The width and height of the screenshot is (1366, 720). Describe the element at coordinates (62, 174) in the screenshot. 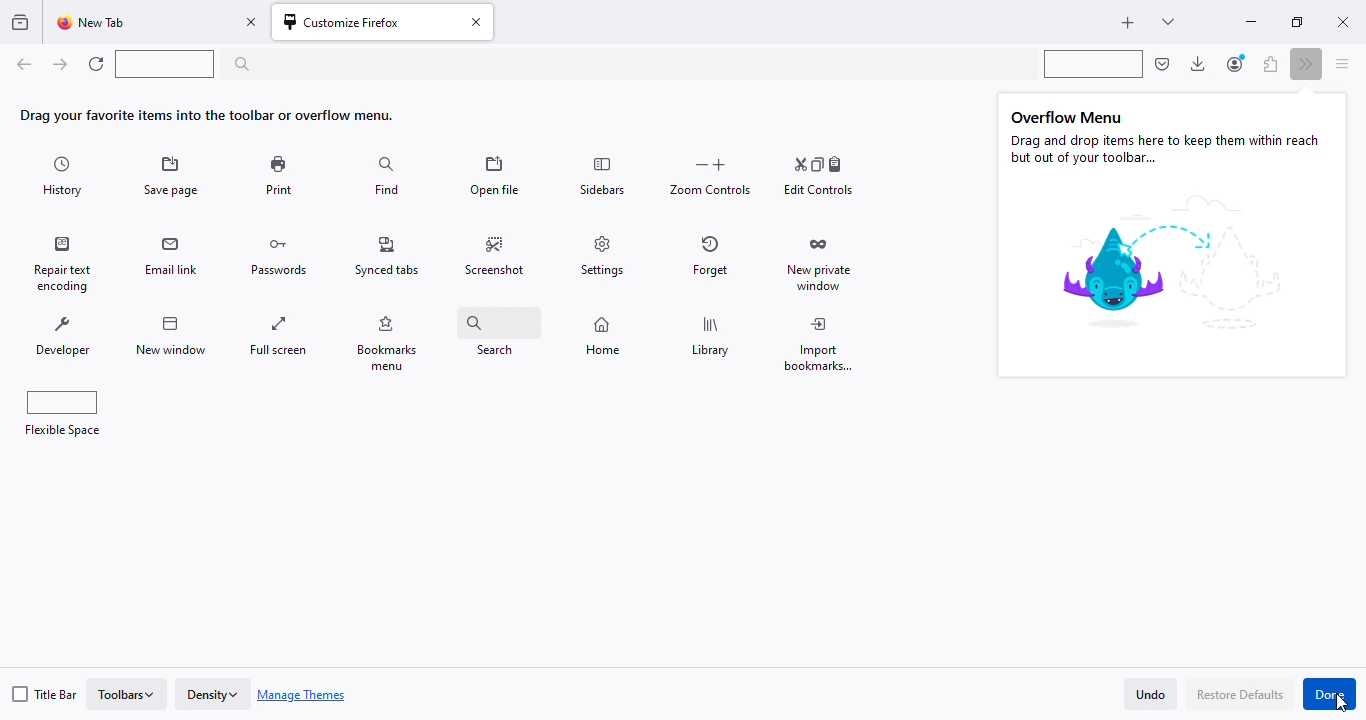

I see `history` at that location.